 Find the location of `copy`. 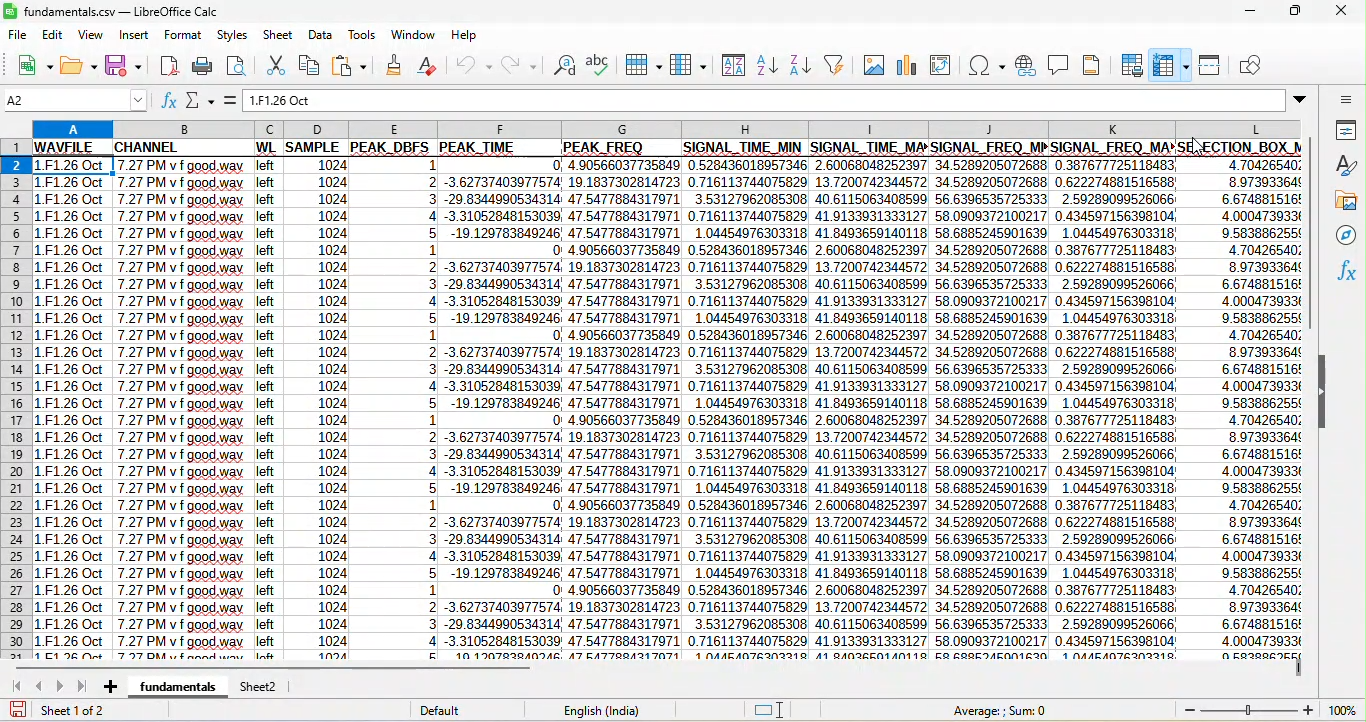

copy is located at coordinates (314, 64).